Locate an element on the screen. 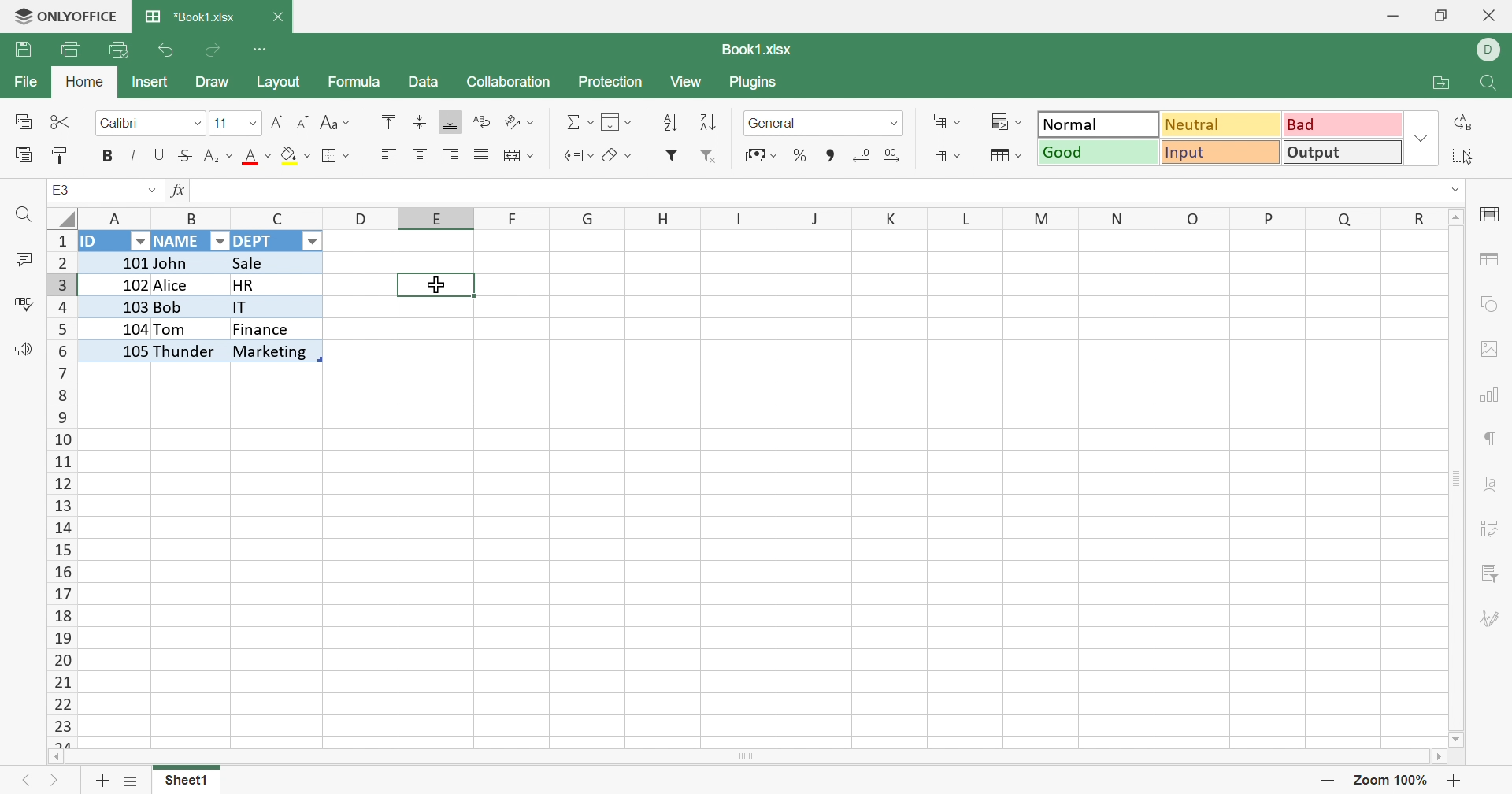  Replace is located at coordinates (1462, 124).